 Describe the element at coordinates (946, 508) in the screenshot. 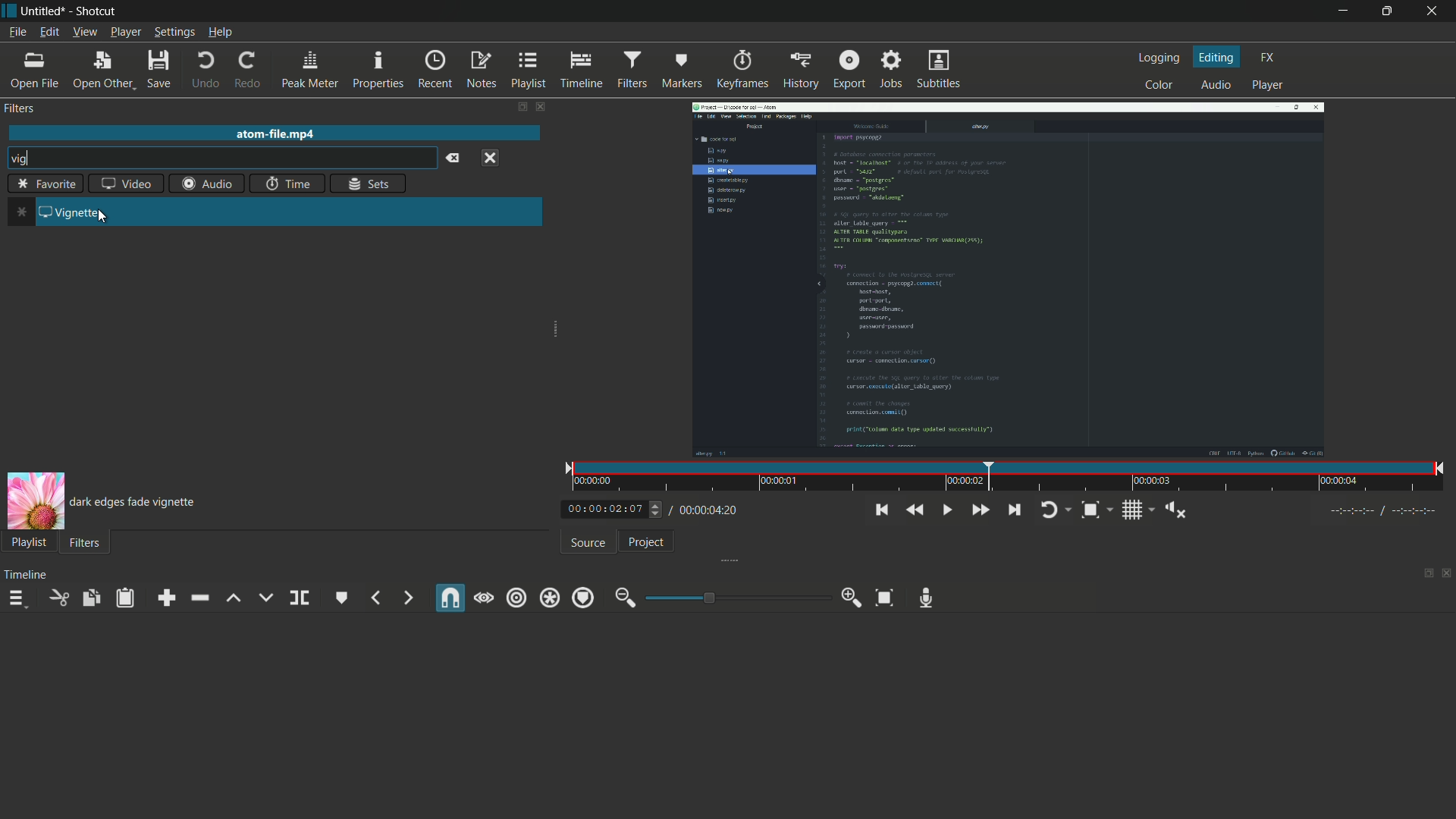

I see `toggle play or pause` at that location.